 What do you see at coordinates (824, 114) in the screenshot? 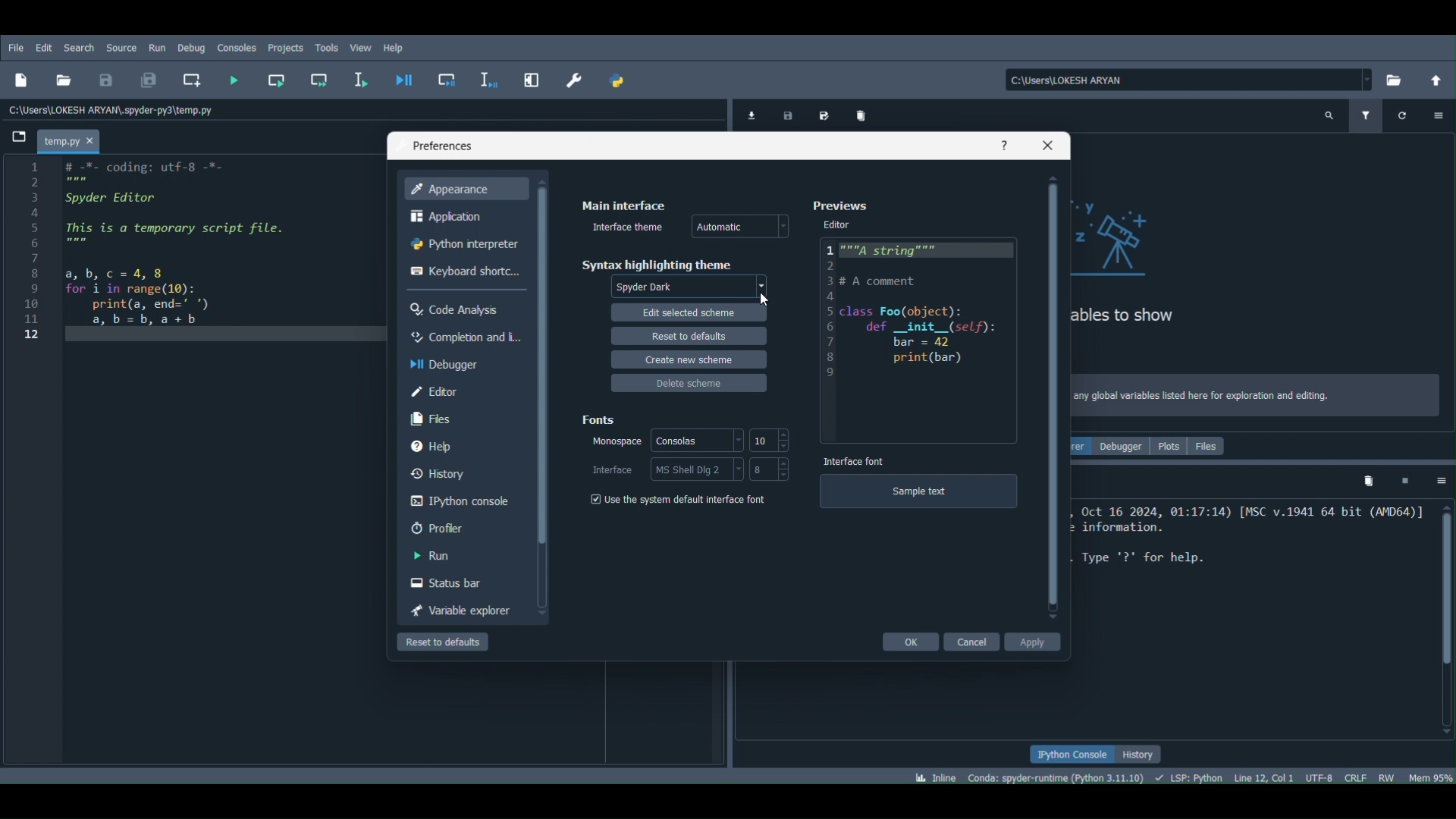
I see `Save data as` at bounding box center [824, 114].